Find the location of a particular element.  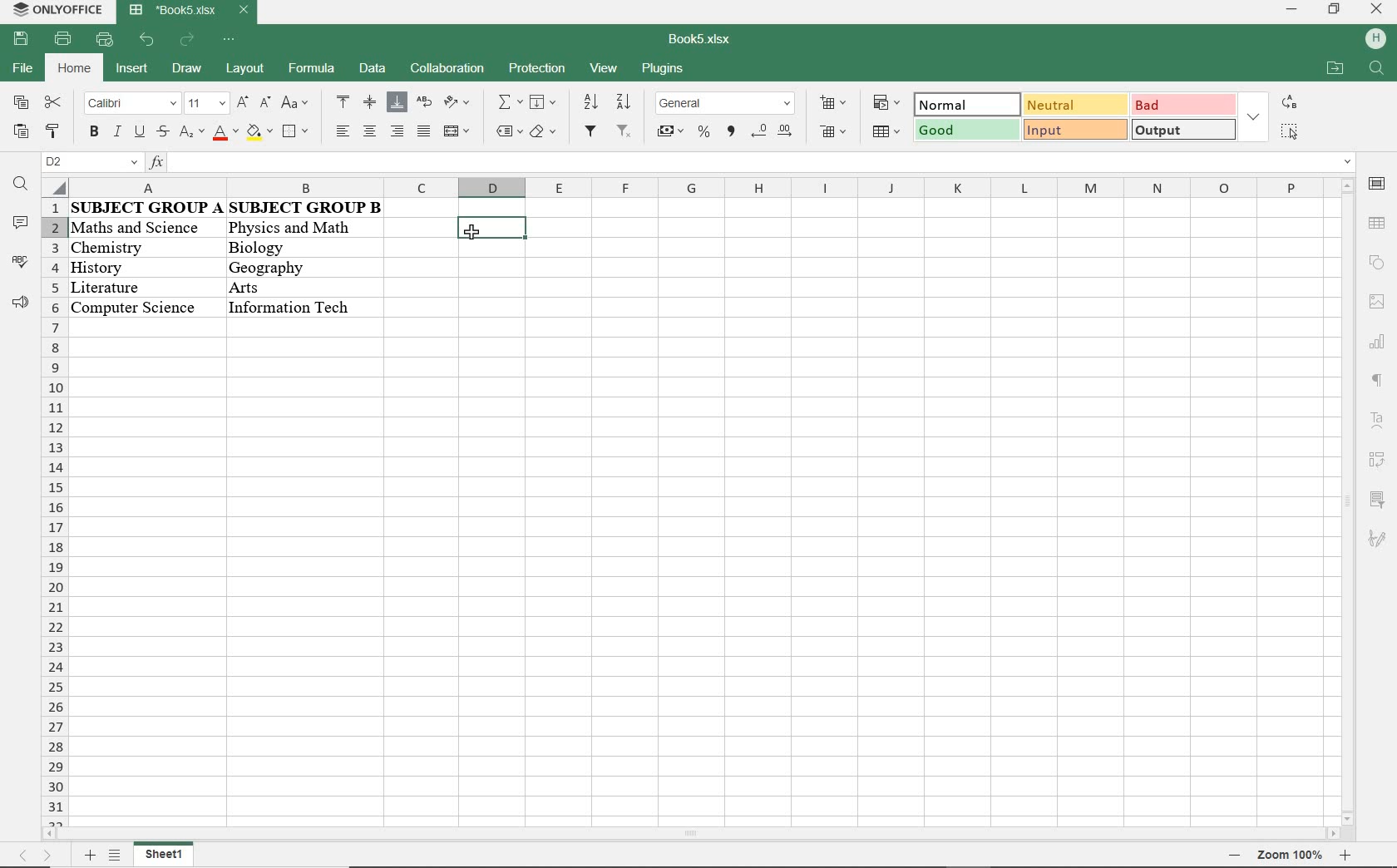

bold is located at coordinates (94, 133).